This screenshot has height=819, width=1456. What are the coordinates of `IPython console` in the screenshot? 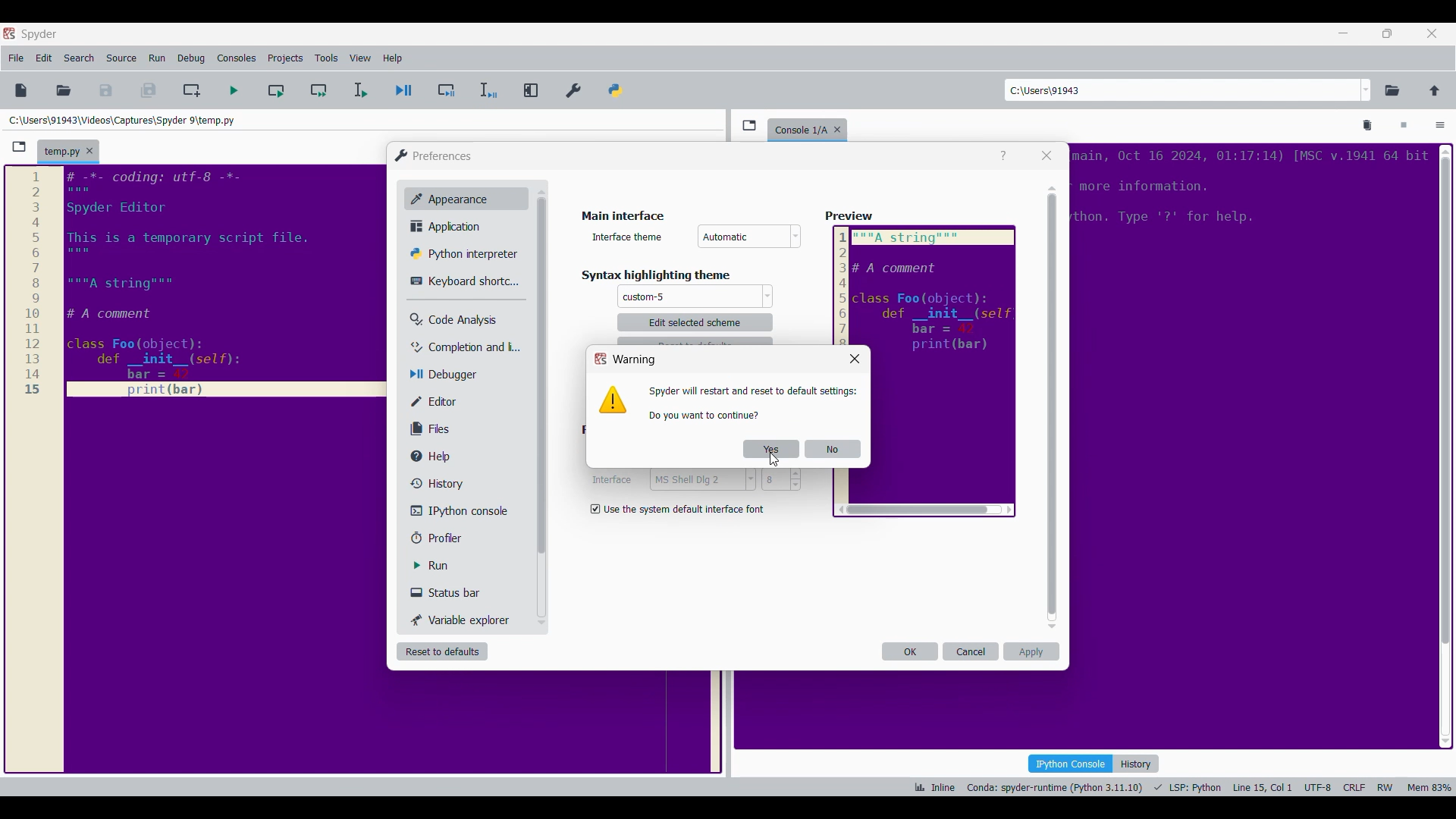 It's located at (1070, 764).